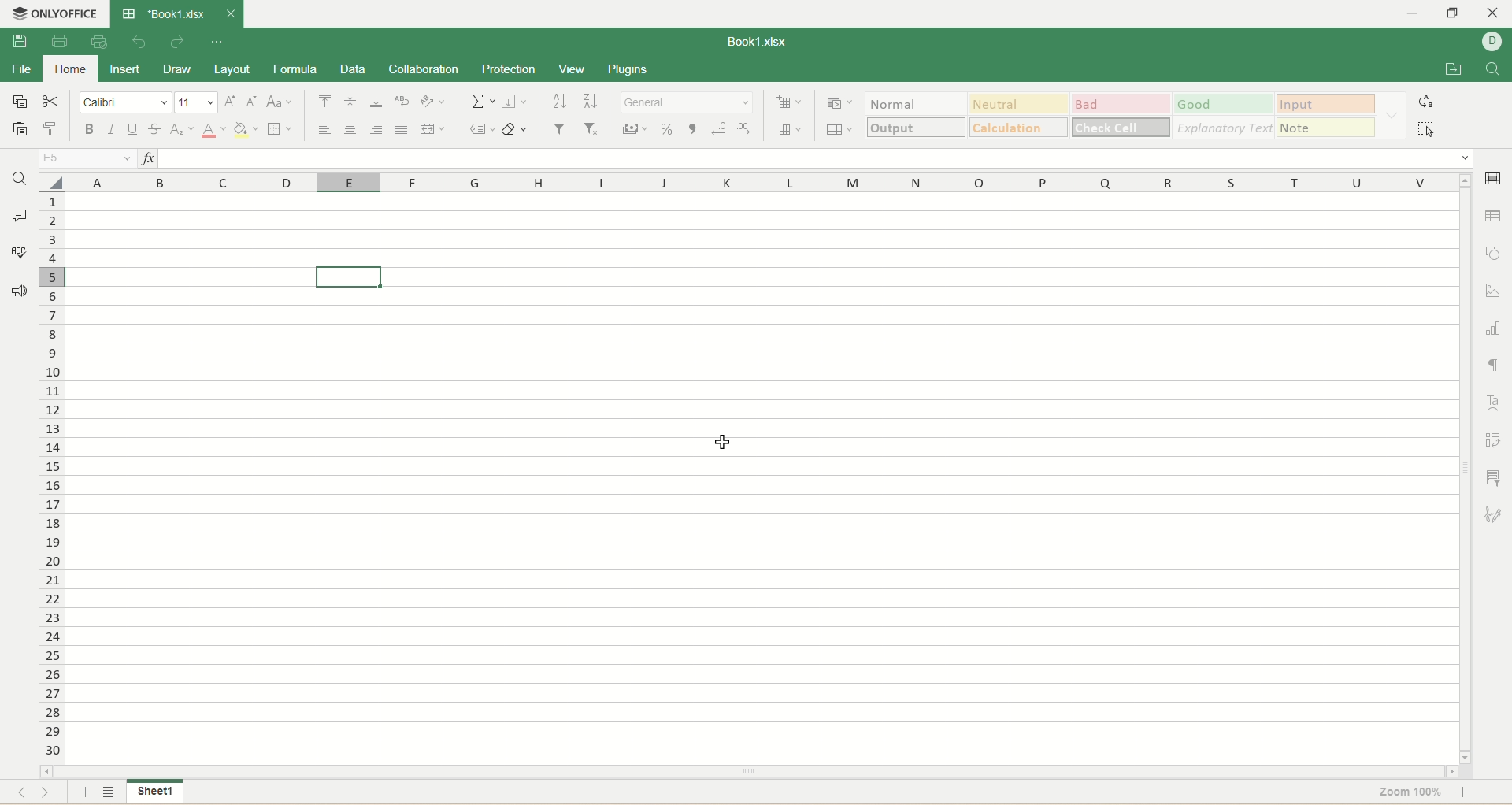  What do you see at coordinates (379, 128) in the screenshot?
I see `align right` at bounding box center [379, 128].